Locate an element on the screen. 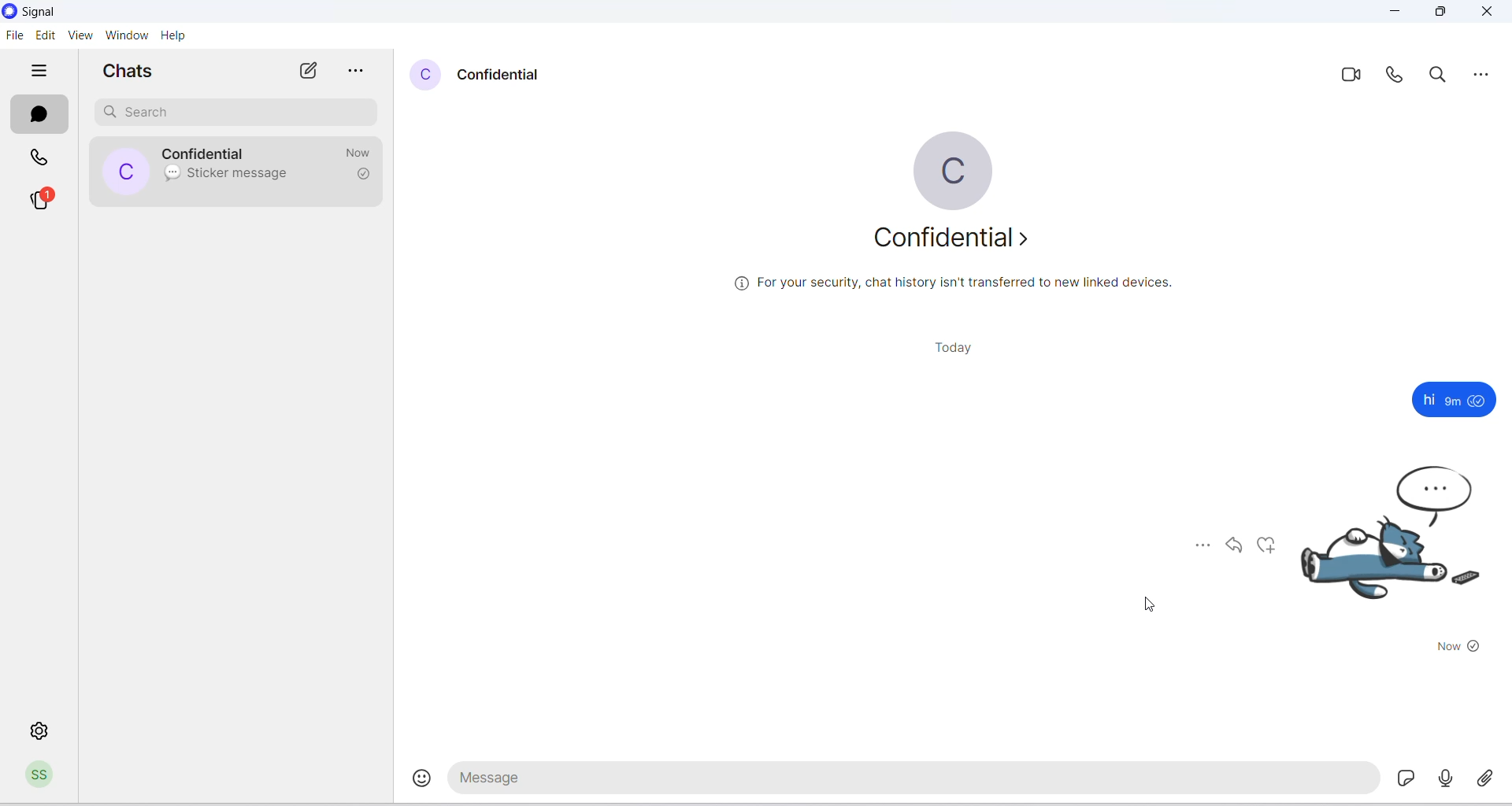 Image resolution: width=1512 pixels, height=806 pixels. share attachment is located at coordinates (1490, 776).